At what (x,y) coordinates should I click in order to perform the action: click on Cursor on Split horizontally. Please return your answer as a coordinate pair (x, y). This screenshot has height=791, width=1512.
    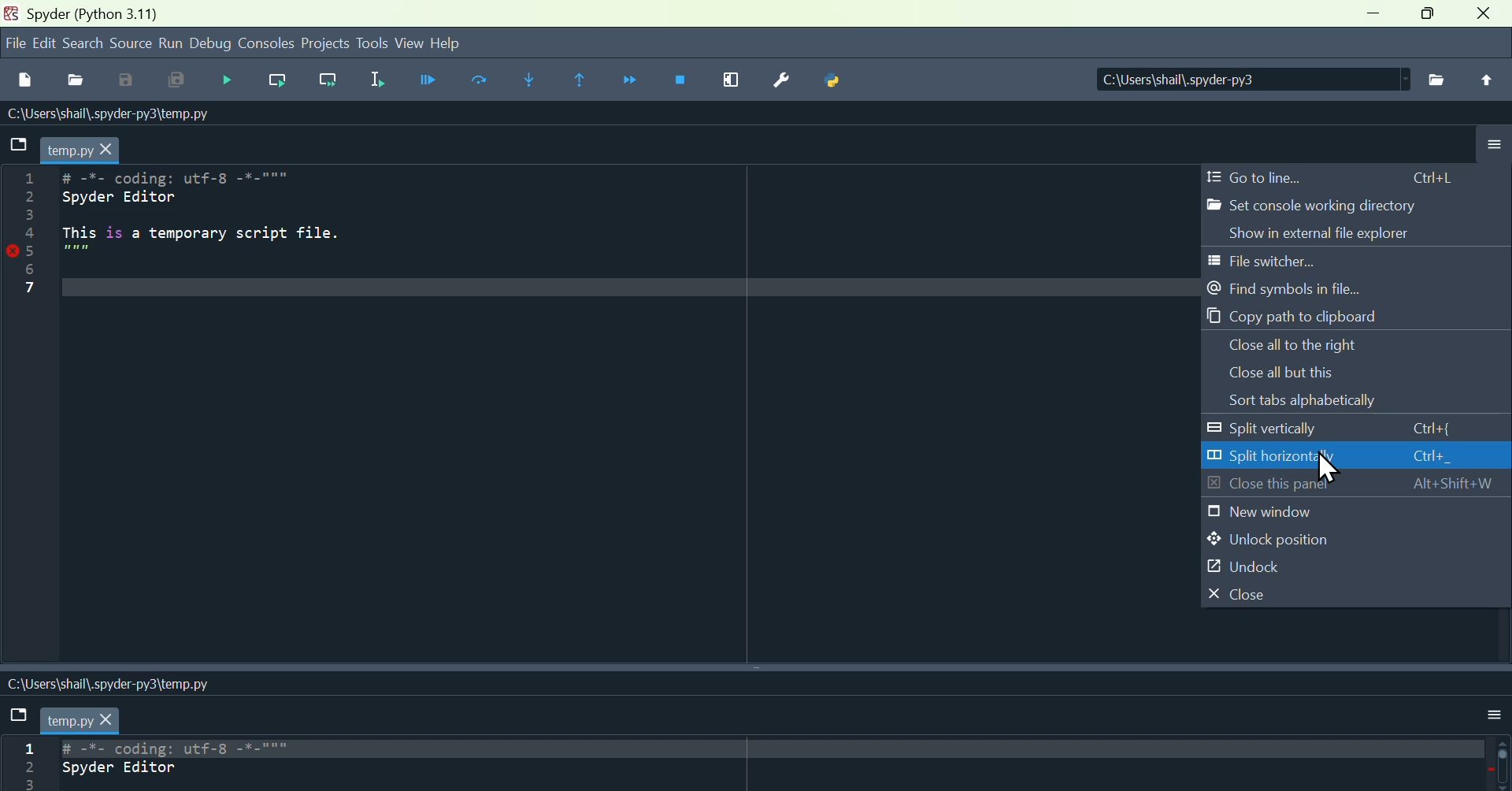
    Looking at the image, I should click on (1328, 470).